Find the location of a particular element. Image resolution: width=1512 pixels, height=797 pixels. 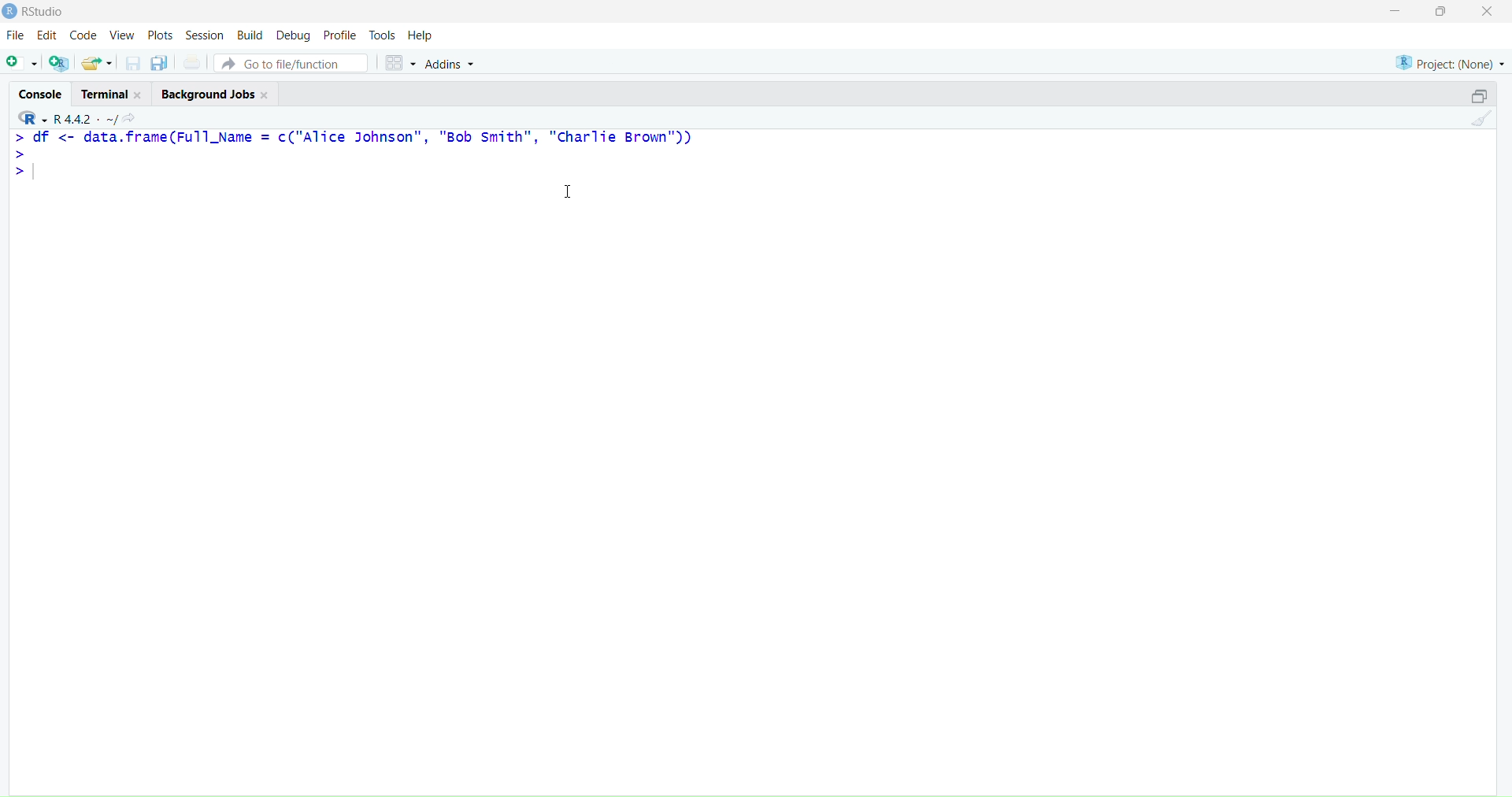

Clear console (Ctrl + L) is located at coordinates (1479, 120).